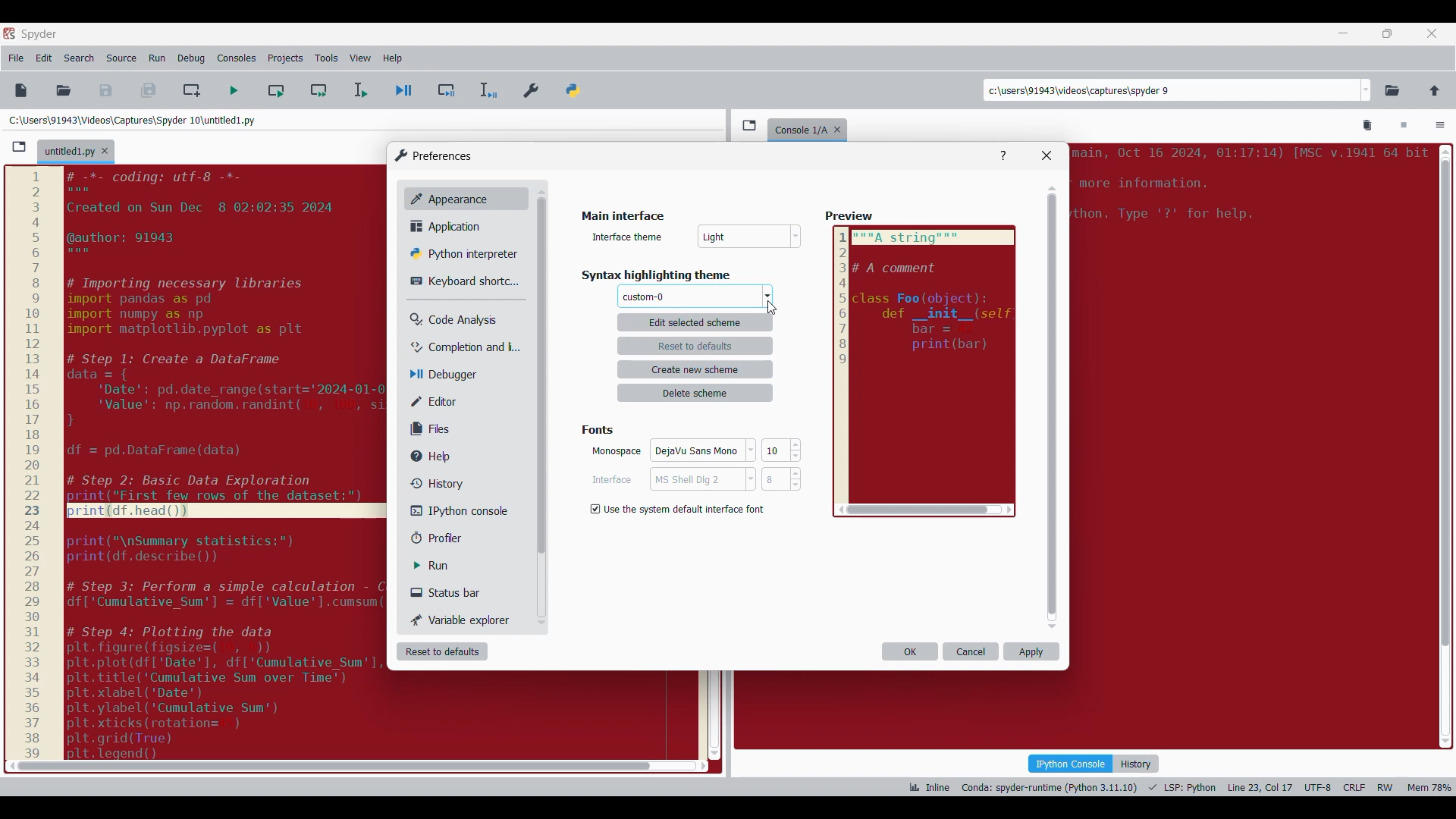 The width and height of the screenshot is (1456, 819). What do you see at coordinates (851, 217) in the screenshot?
I see `` at bounding box center [851, 217].